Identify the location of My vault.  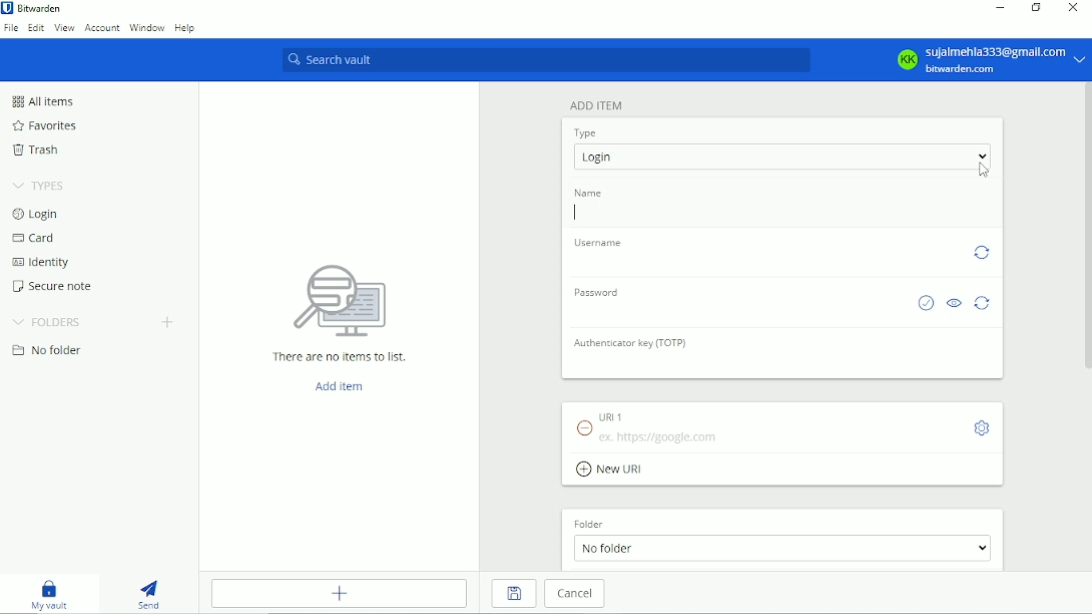
(49, 593).